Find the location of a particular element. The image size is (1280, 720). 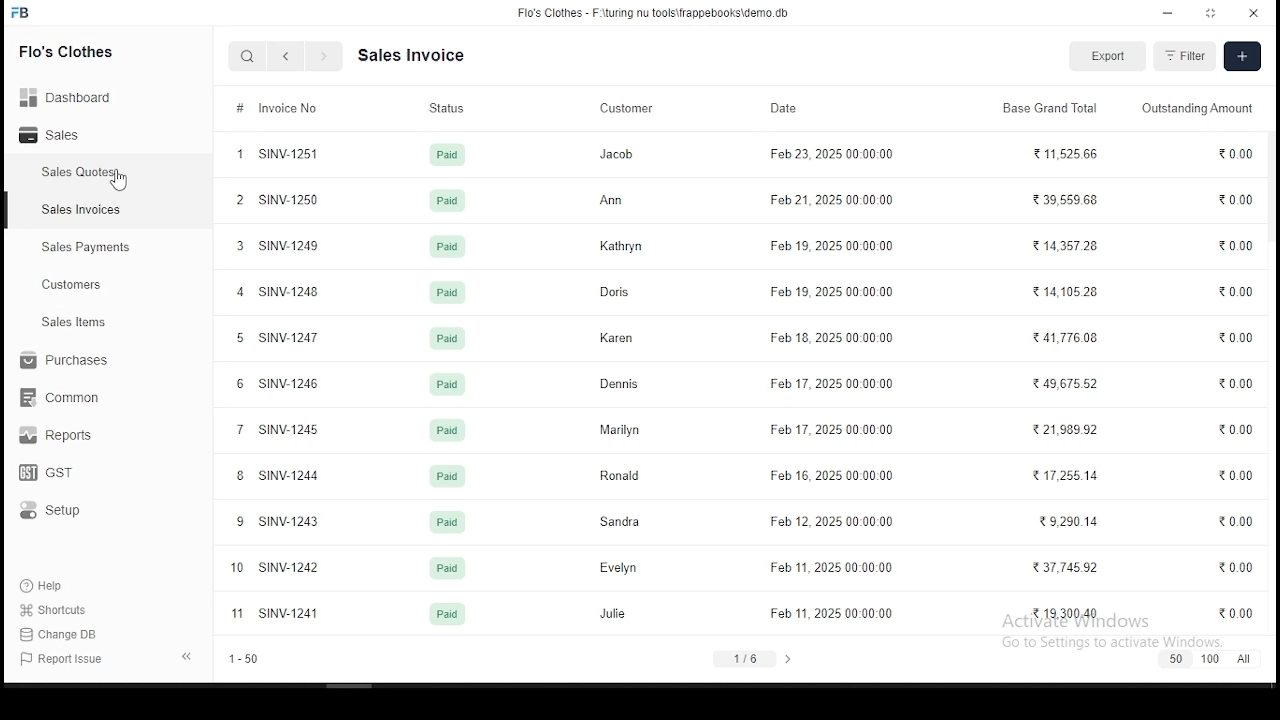

Julie is located at coordinates (611, 611).